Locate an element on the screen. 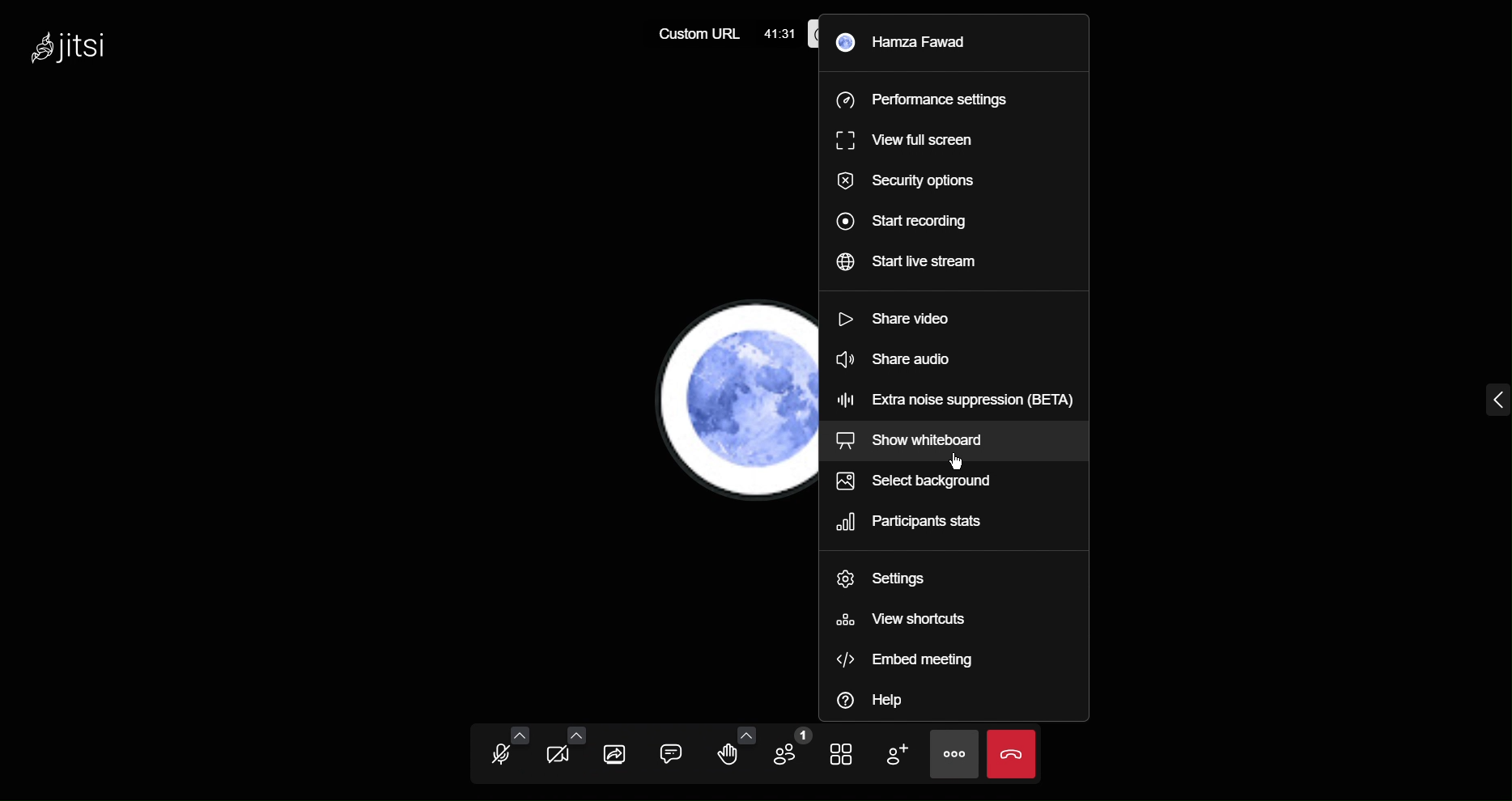  Show whiteboard is located at coordinates (926, 442).